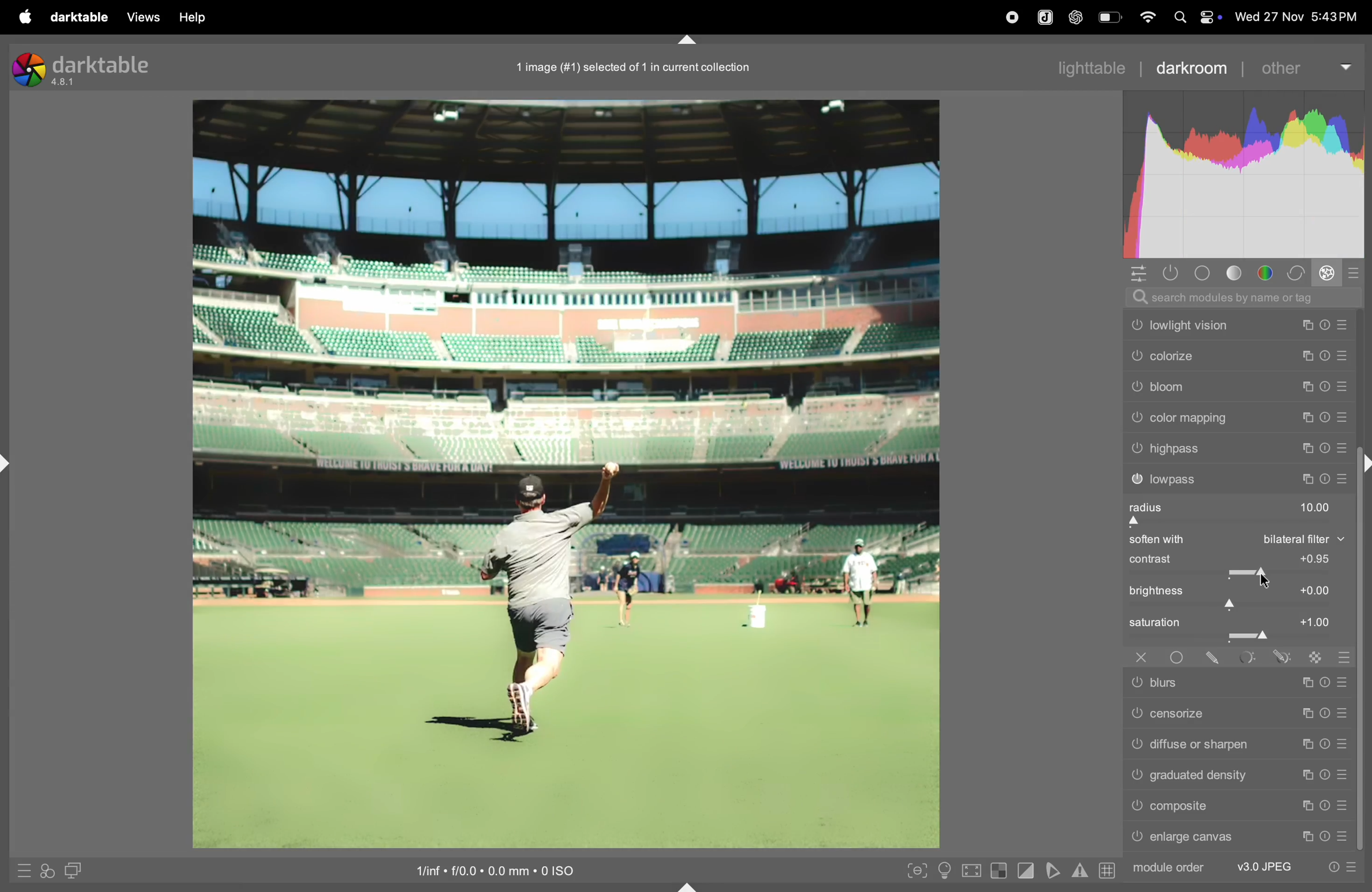 The width and height of the screenshot is (1372, 892). Describe the element at coordinates (1234, 565) in the screenshot. I see `contrast` at that location.